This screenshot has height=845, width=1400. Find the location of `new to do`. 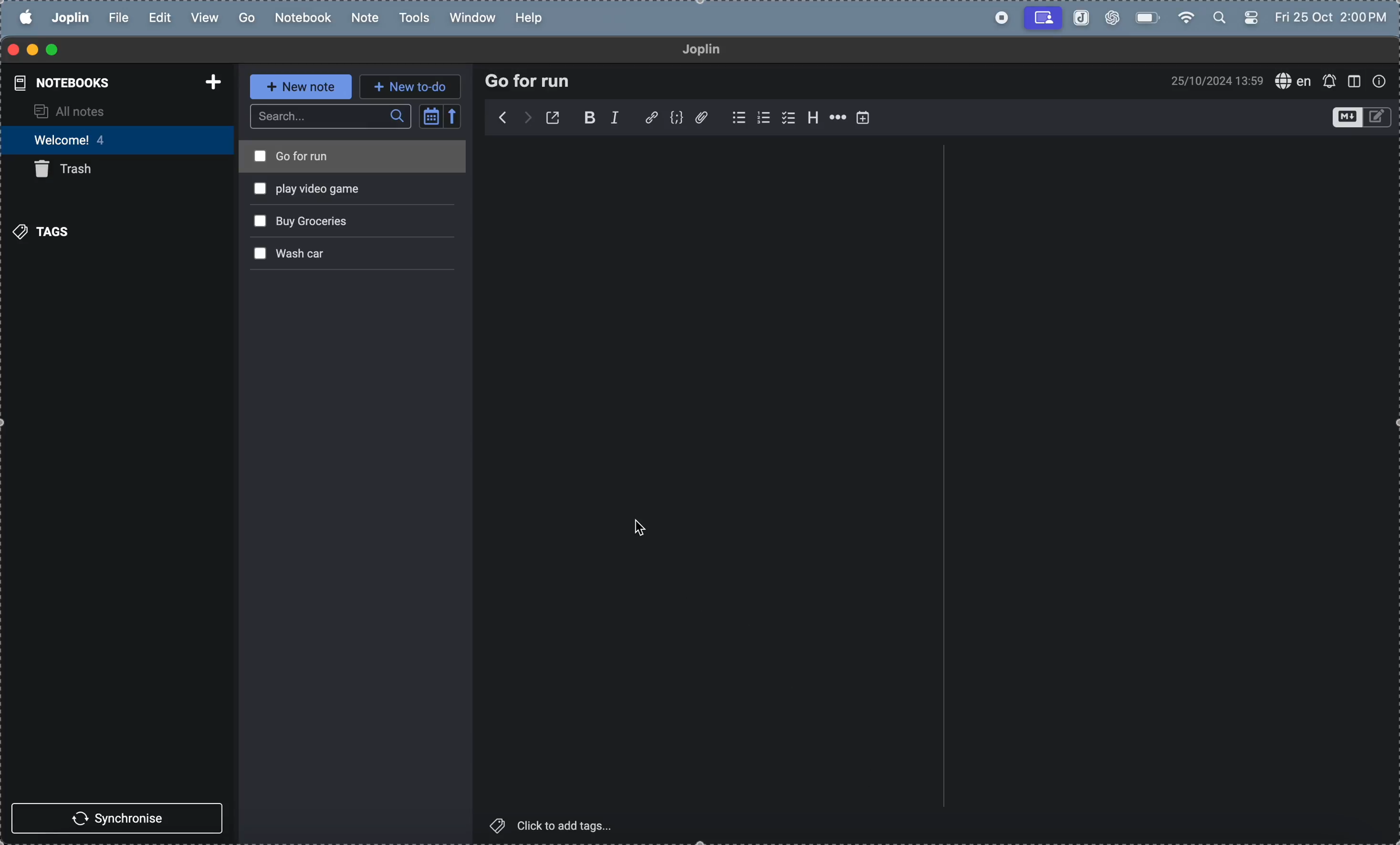

new to do is located at coordinates (413, 85).